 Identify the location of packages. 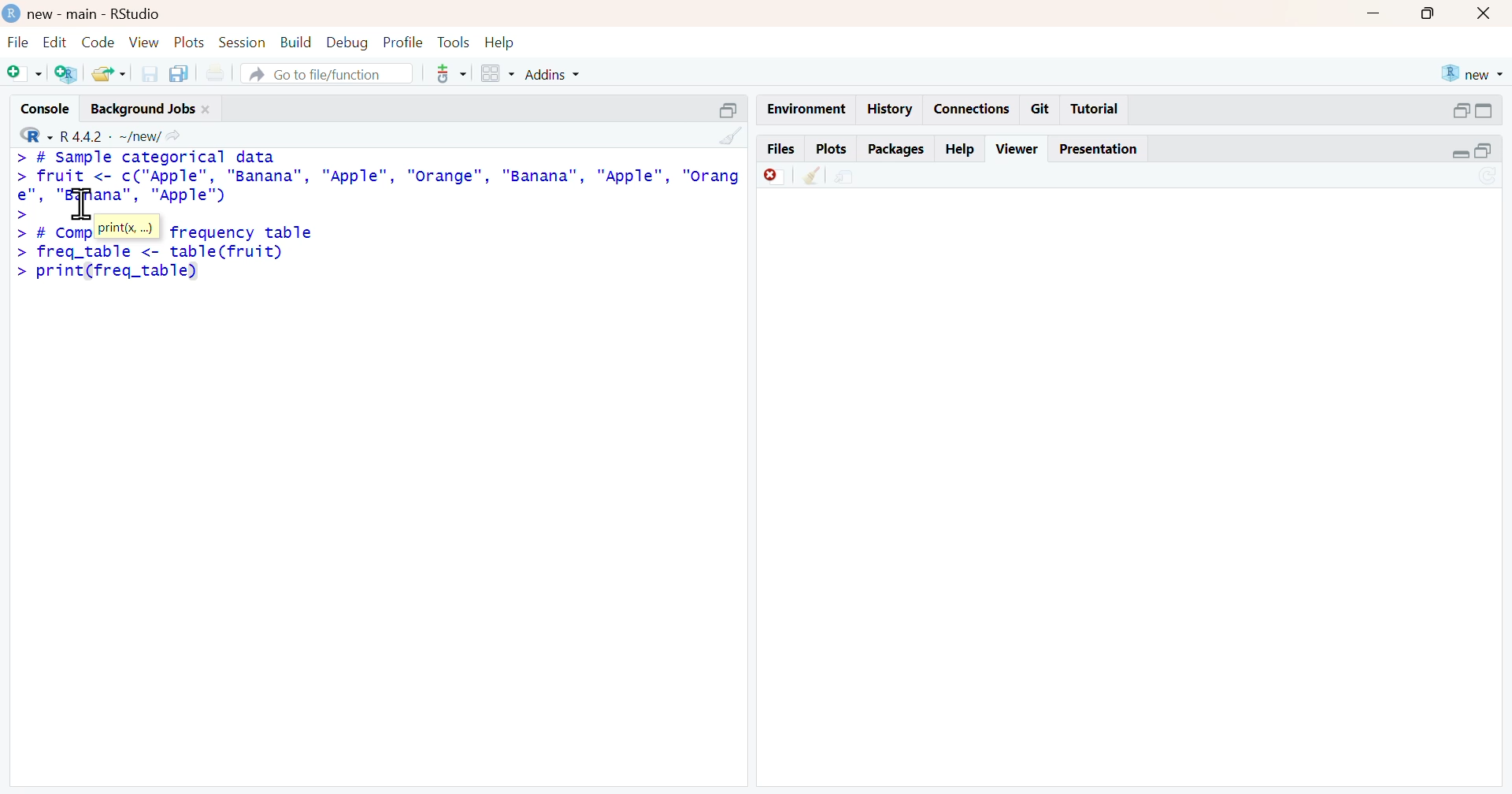
(897, 149).